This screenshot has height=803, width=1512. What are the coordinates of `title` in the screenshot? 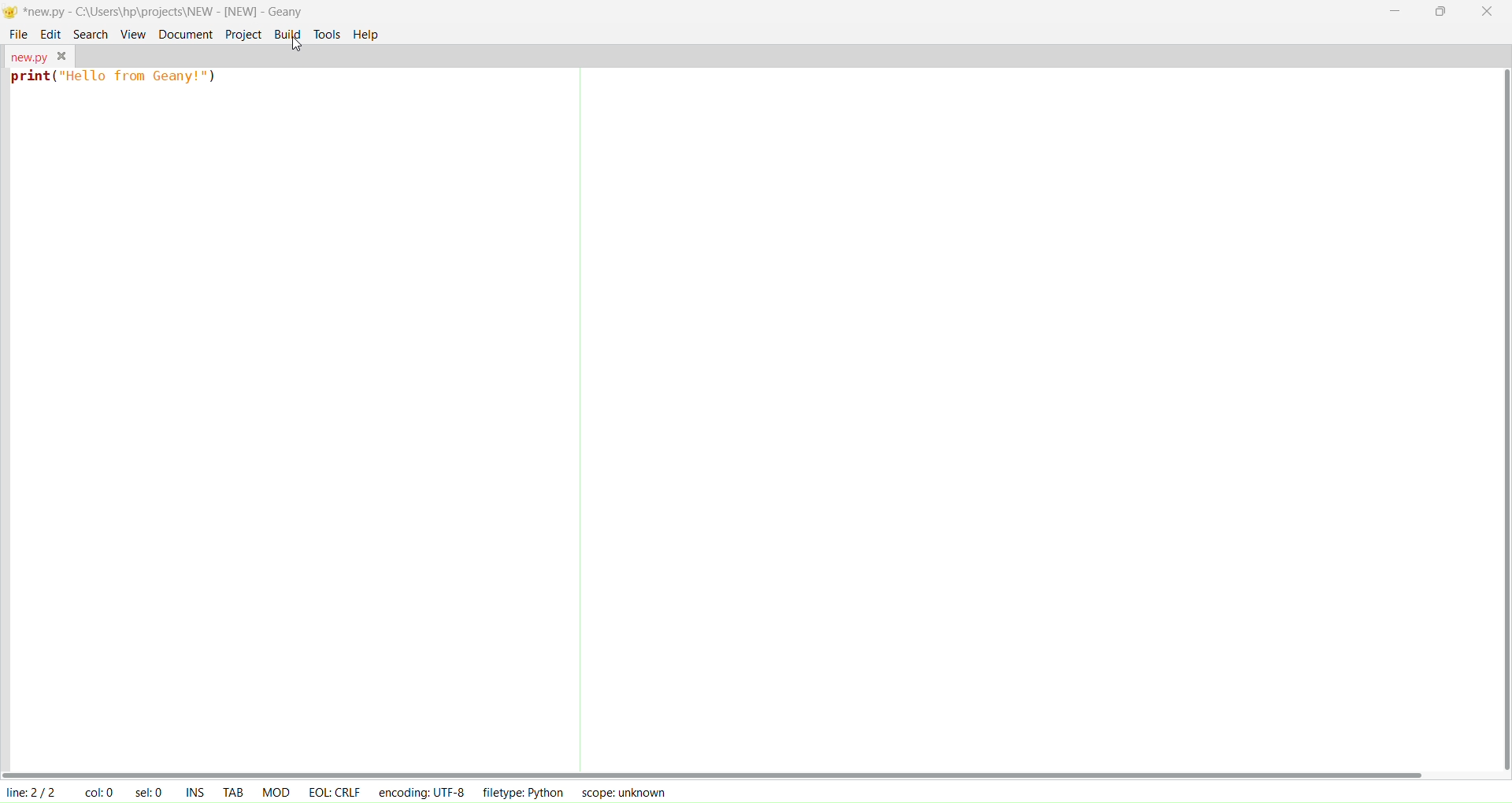 It's located at (164, 11).